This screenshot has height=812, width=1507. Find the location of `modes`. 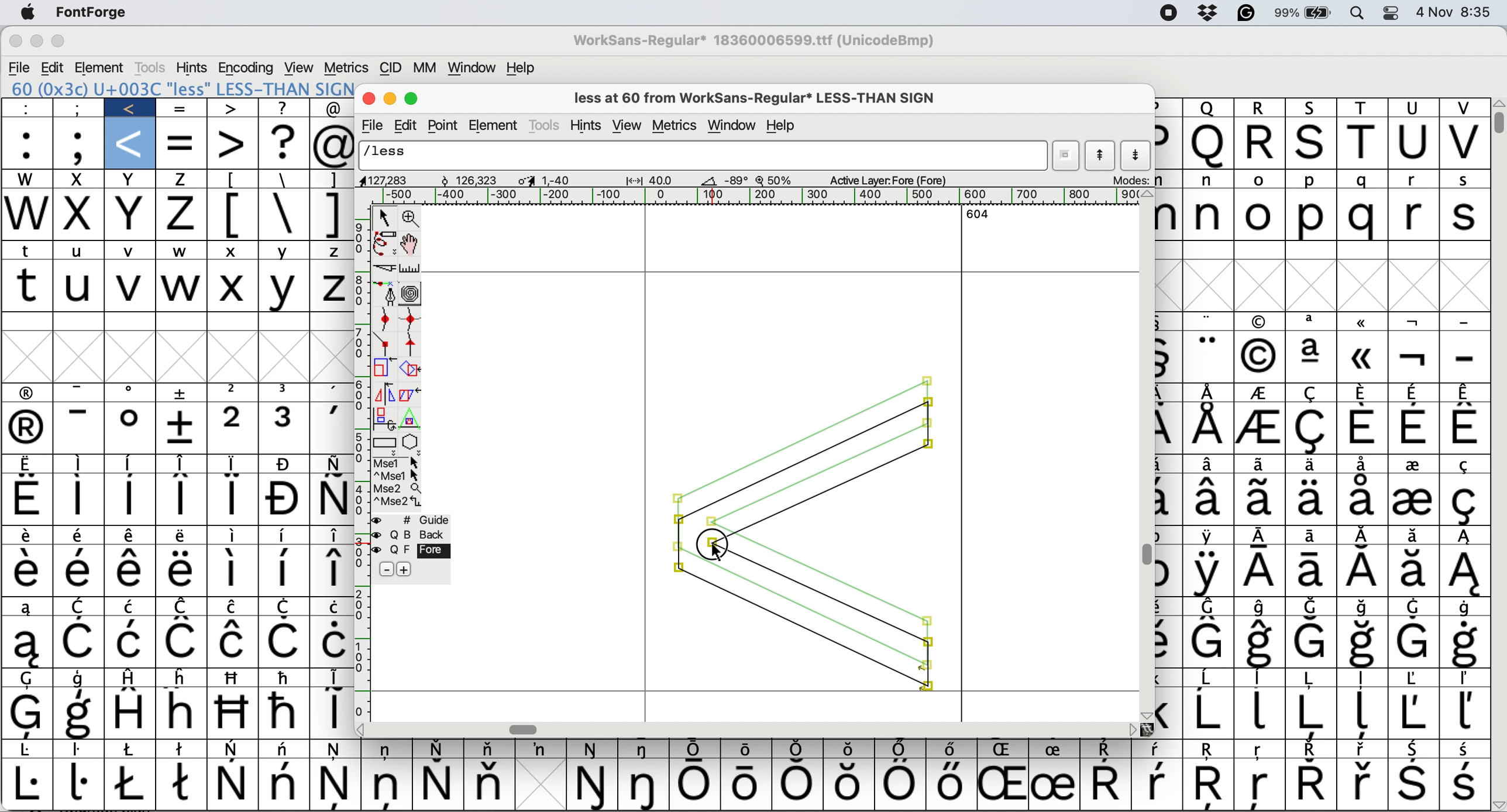

modes is located at coordinates (1132, 180).